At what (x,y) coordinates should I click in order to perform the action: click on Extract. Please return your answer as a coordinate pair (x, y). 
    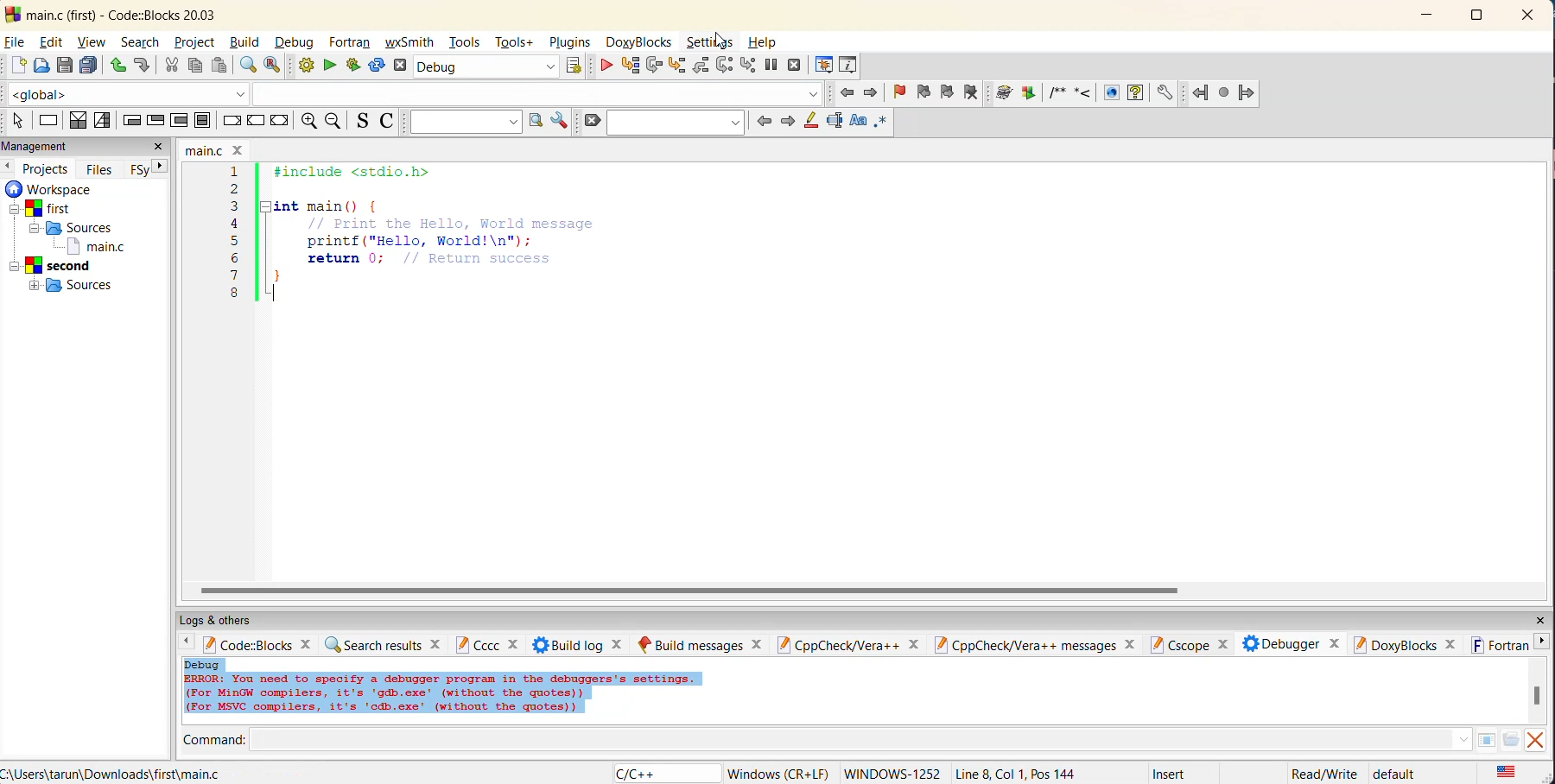
    Looking at the image, I should click on (1027, 94).